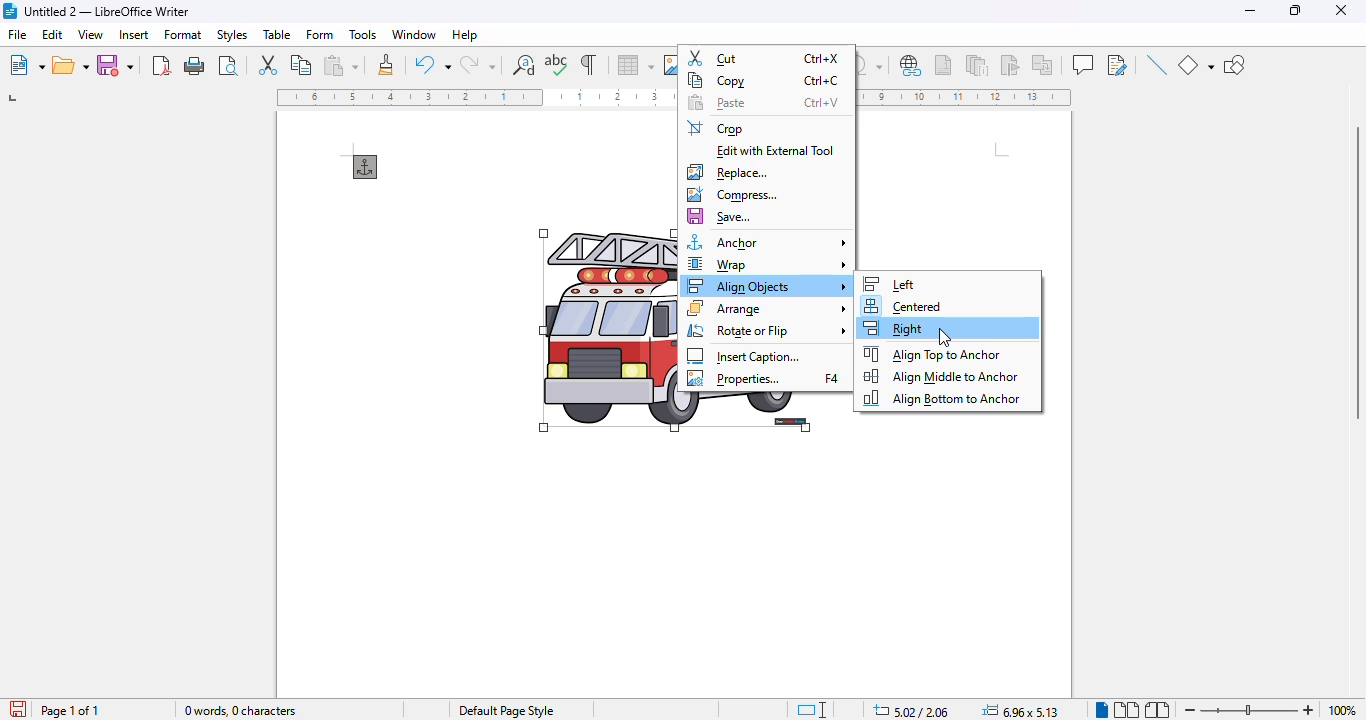 Image resolution: width=1366 pixels, height=720 pixels. I want to click on form, so click(321, 34).